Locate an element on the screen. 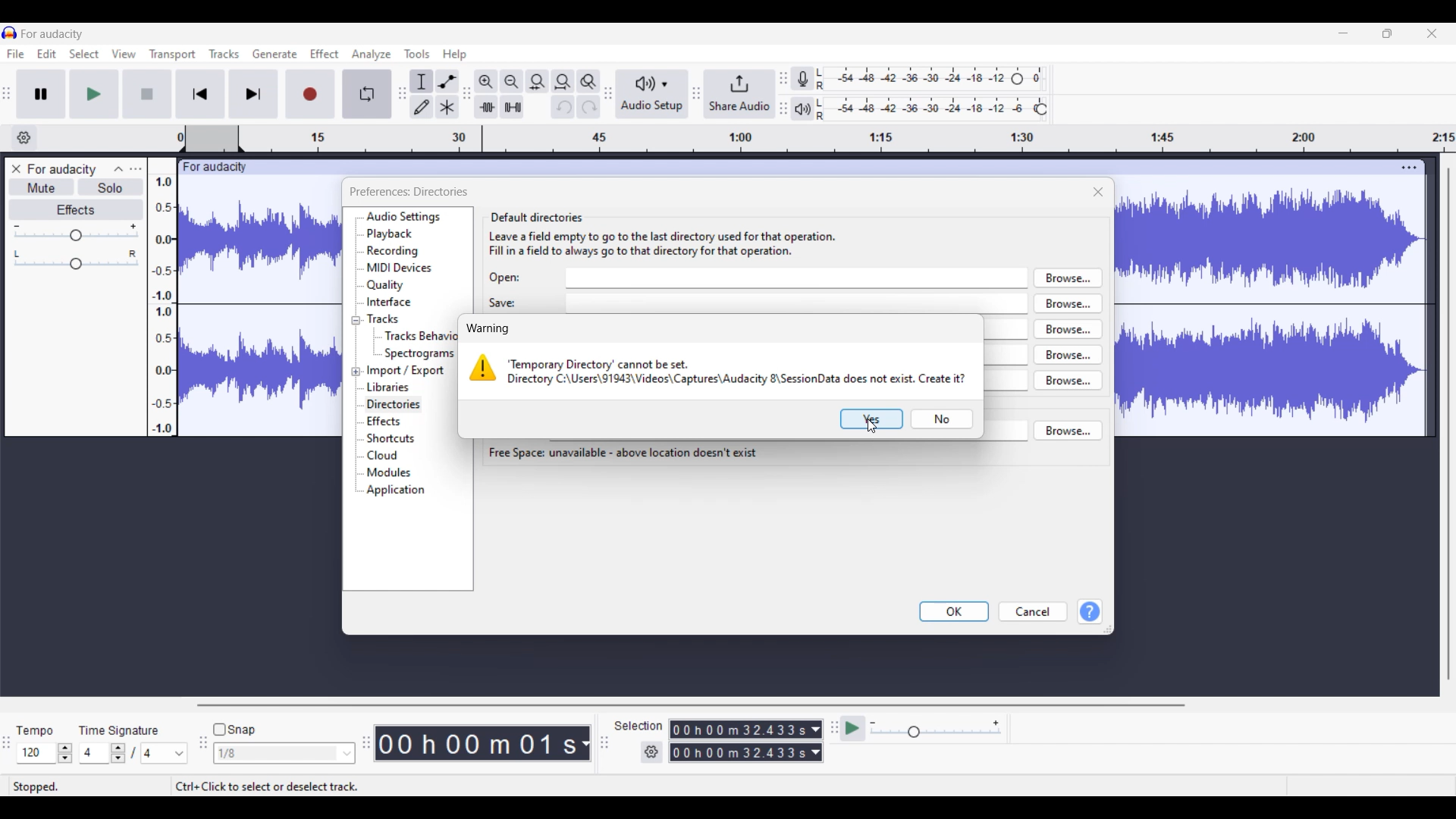  Playback level is located at coordinates (924, 109).